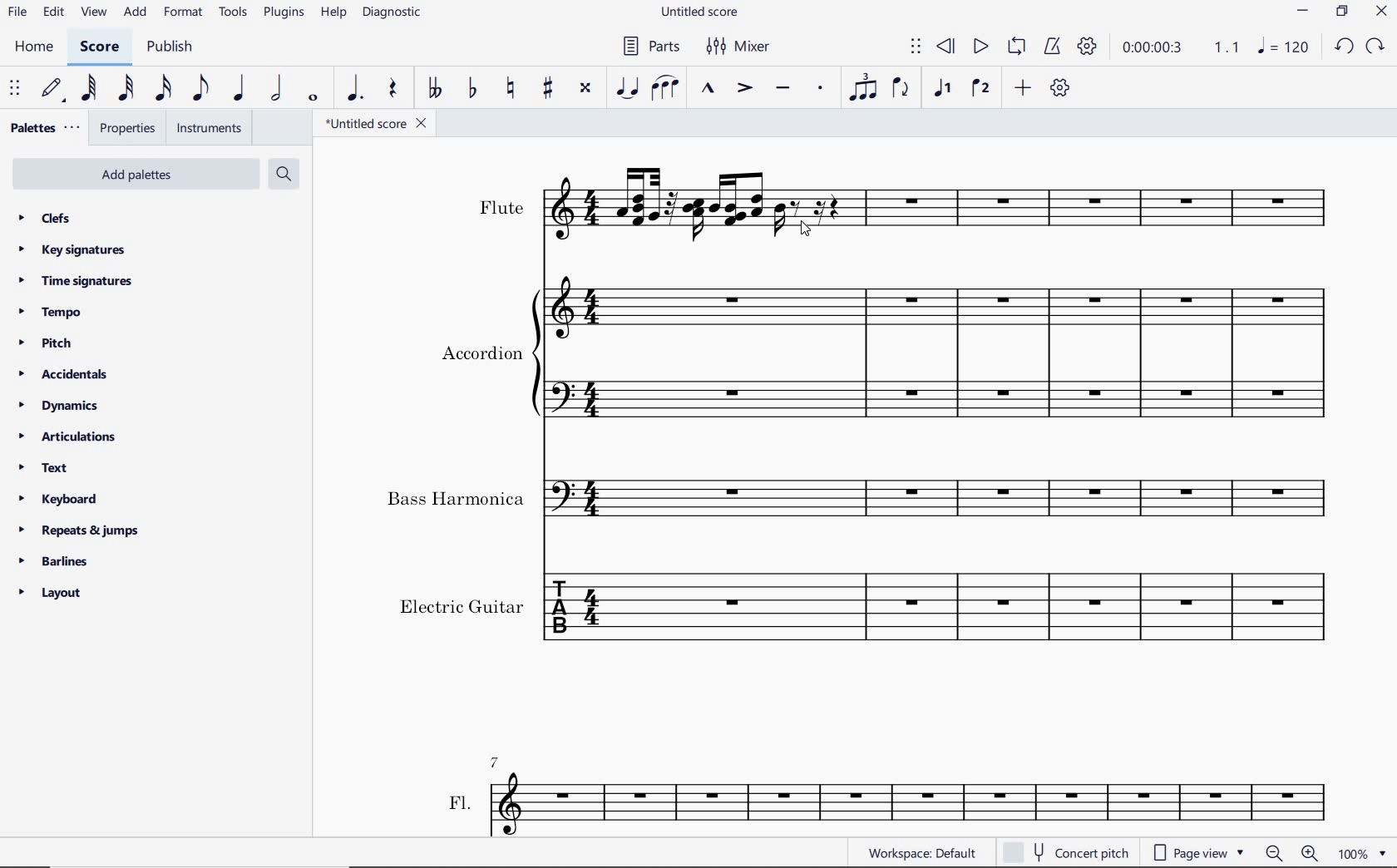  Describe the element at coordinates (916, 47) in the screenshot. I see `select to move` at that location.